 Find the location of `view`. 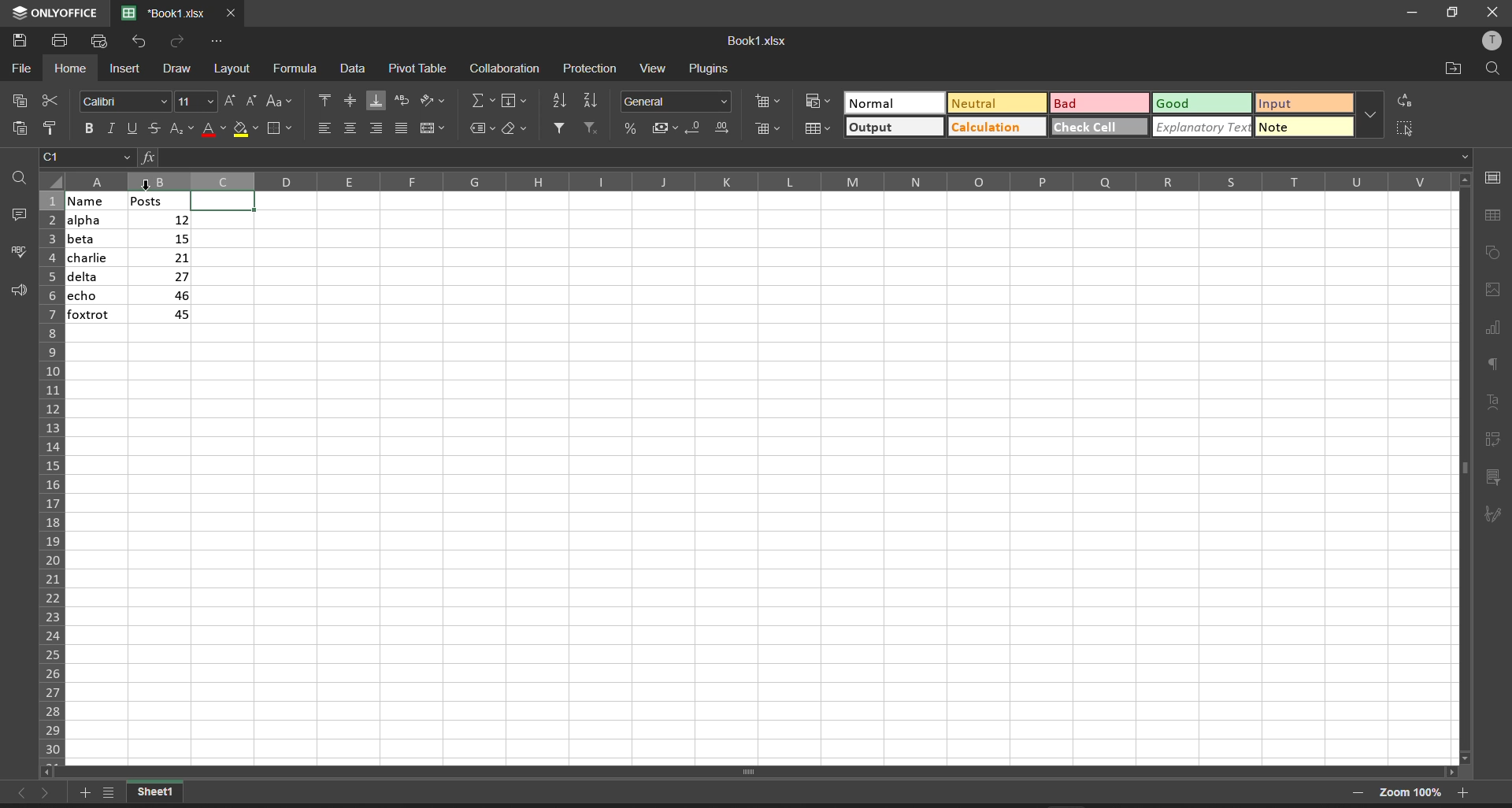

view is located at coordinates (654, 68).